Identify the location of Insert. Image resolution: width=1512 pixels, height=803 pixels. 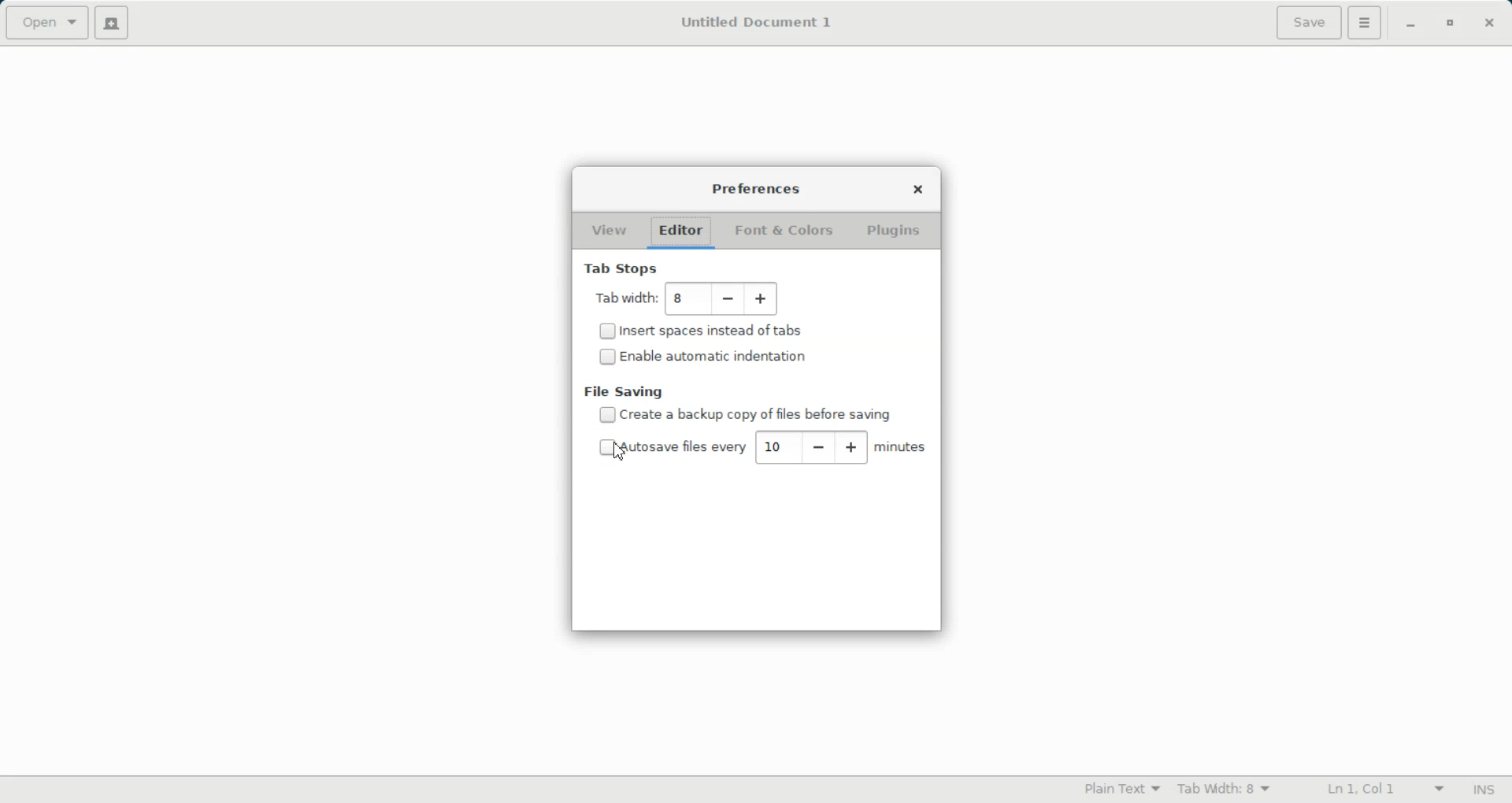
(1483, 790).